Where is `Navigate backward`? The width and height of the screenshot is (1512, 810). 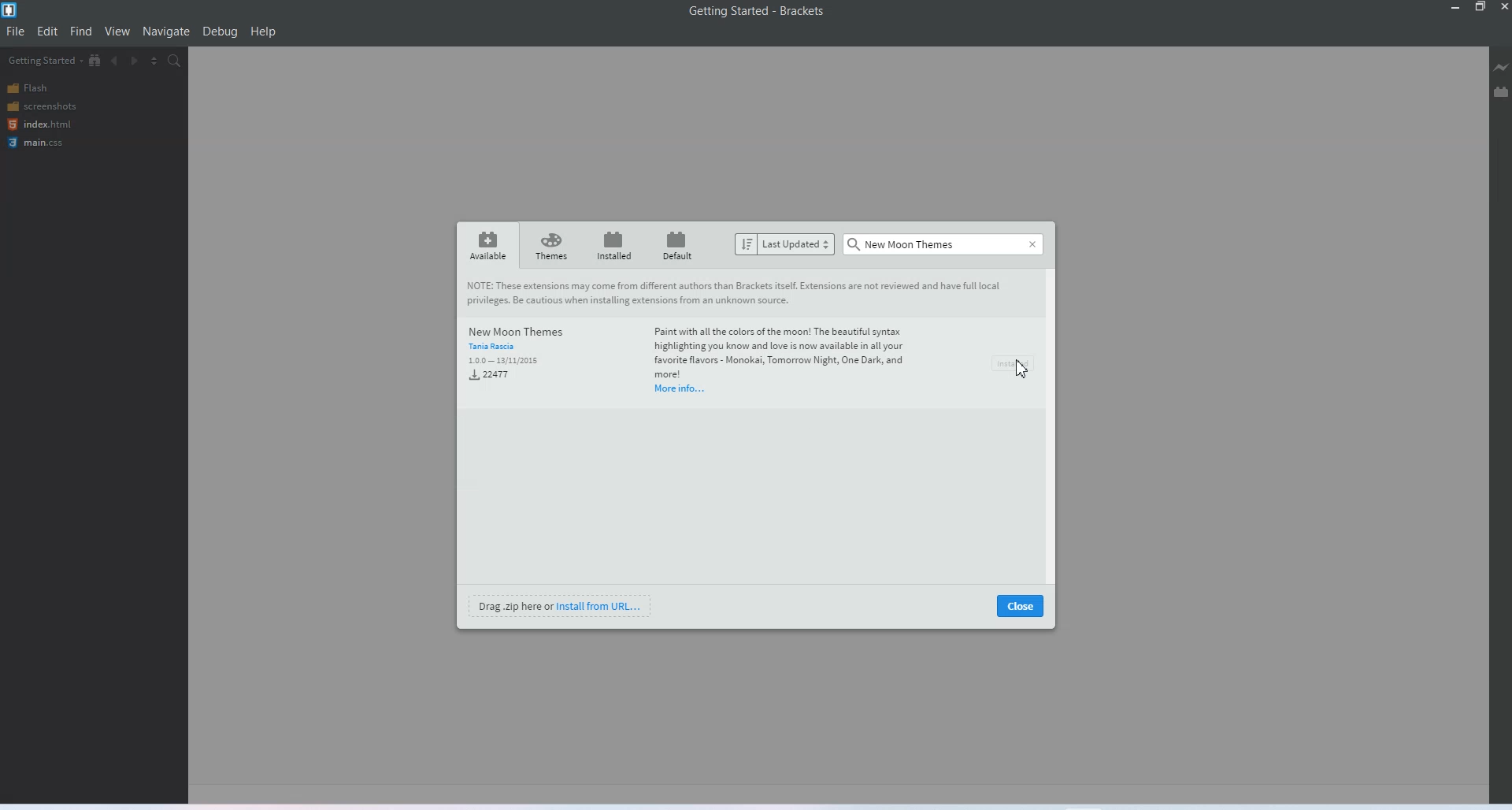
Navigate backward is located at coordinates (116, 60).